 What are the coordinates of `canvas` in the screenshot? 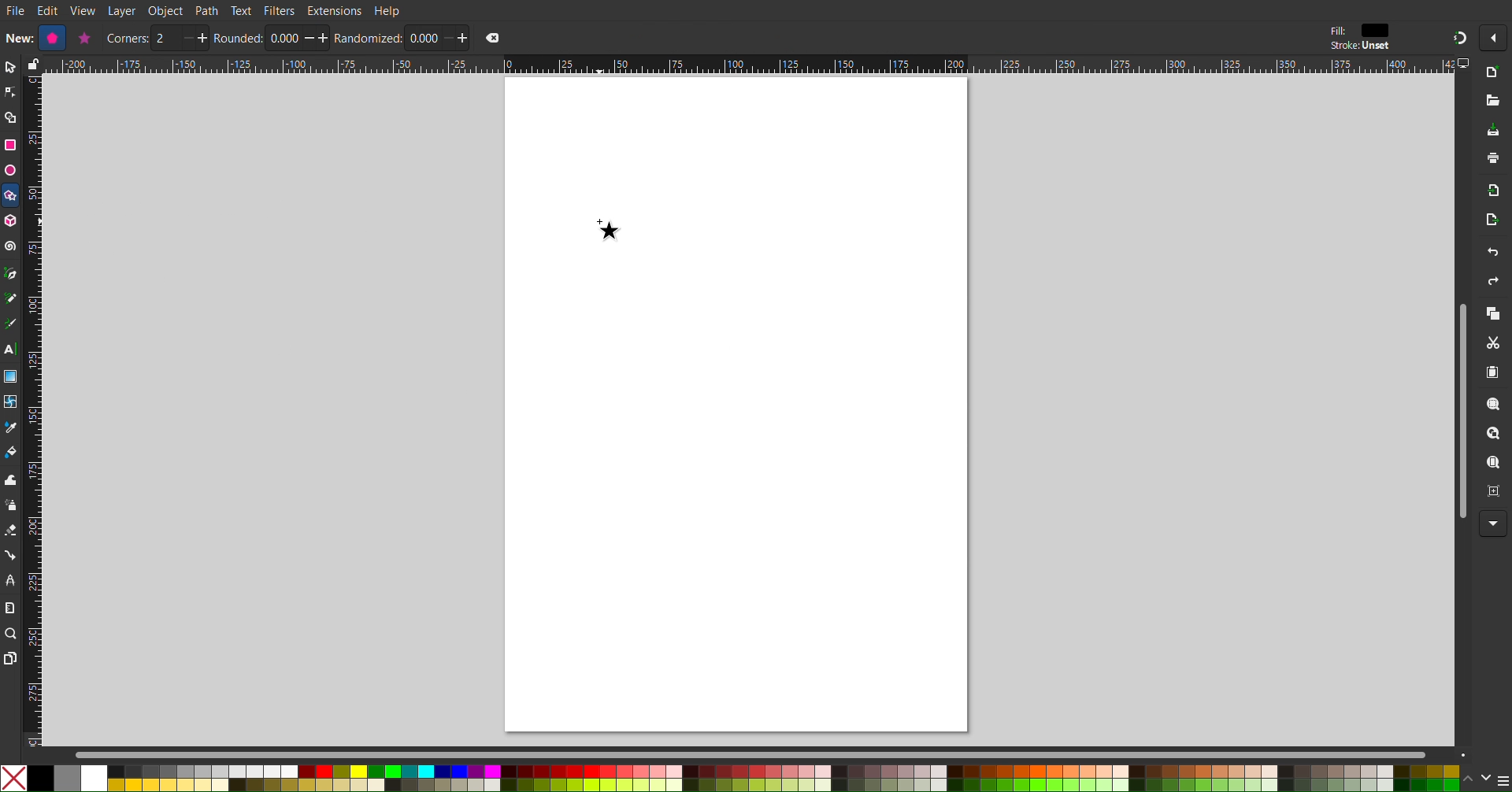 It's located at (736, 404).